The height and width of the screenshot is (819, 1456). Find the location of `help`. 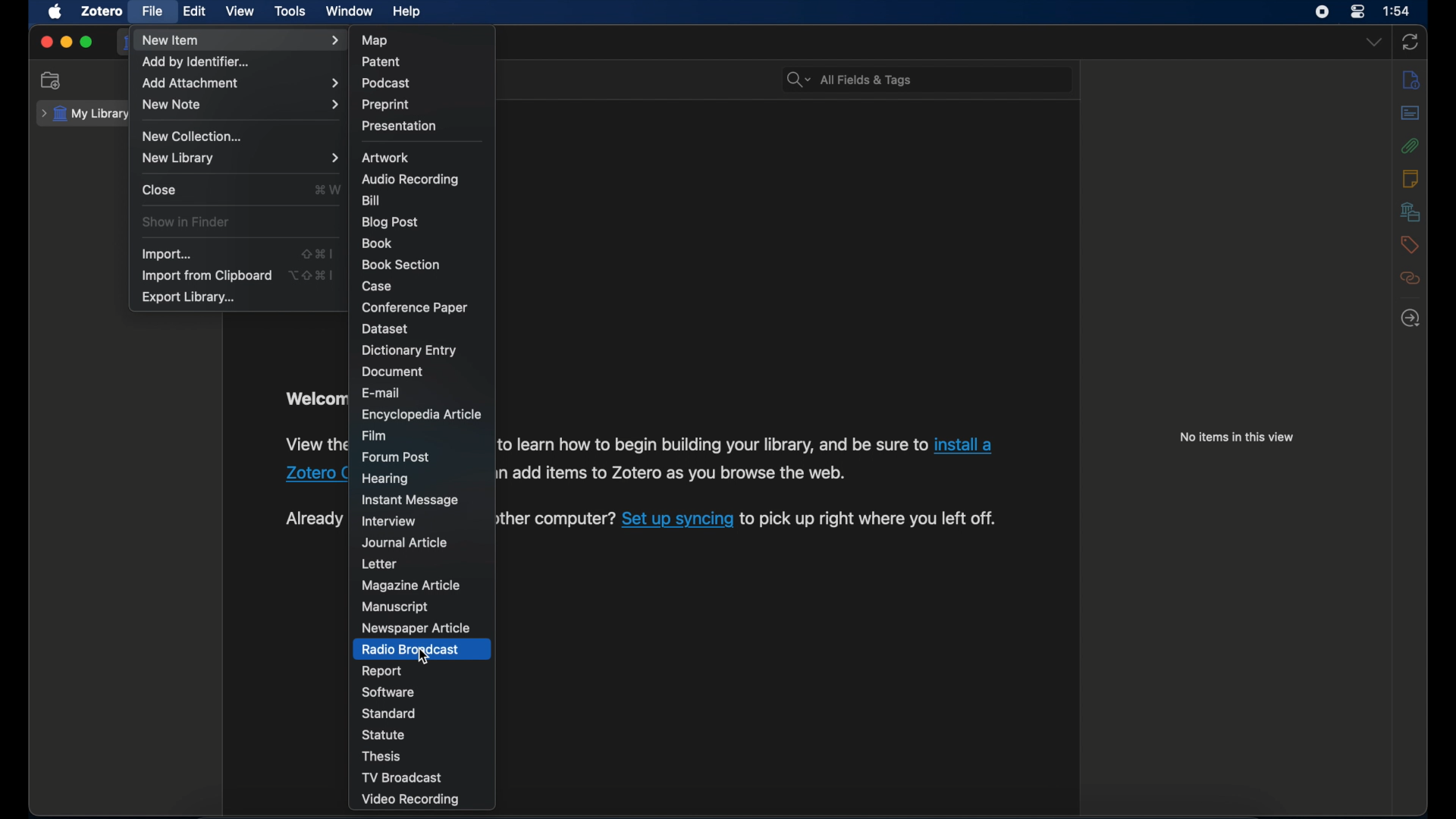

help is located at coordinates (409, 12).